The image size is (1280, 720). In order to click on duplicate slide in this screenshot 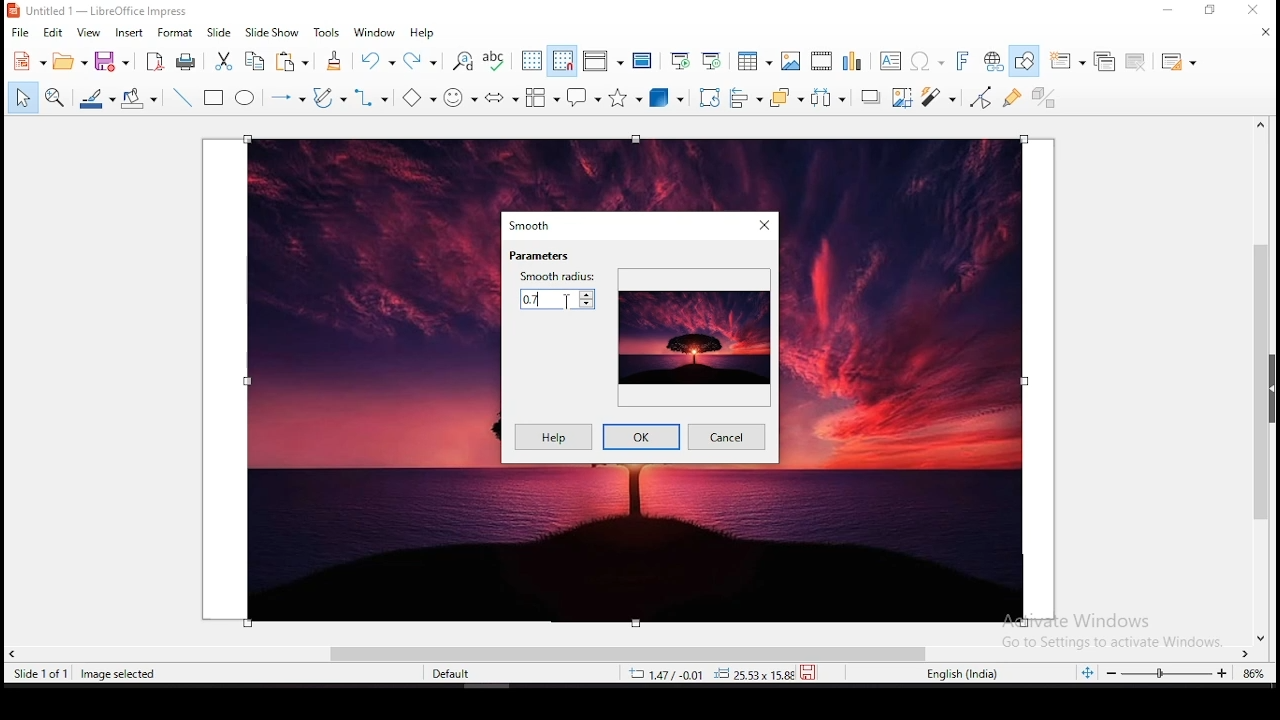, I will do `click(1102, 60)`.